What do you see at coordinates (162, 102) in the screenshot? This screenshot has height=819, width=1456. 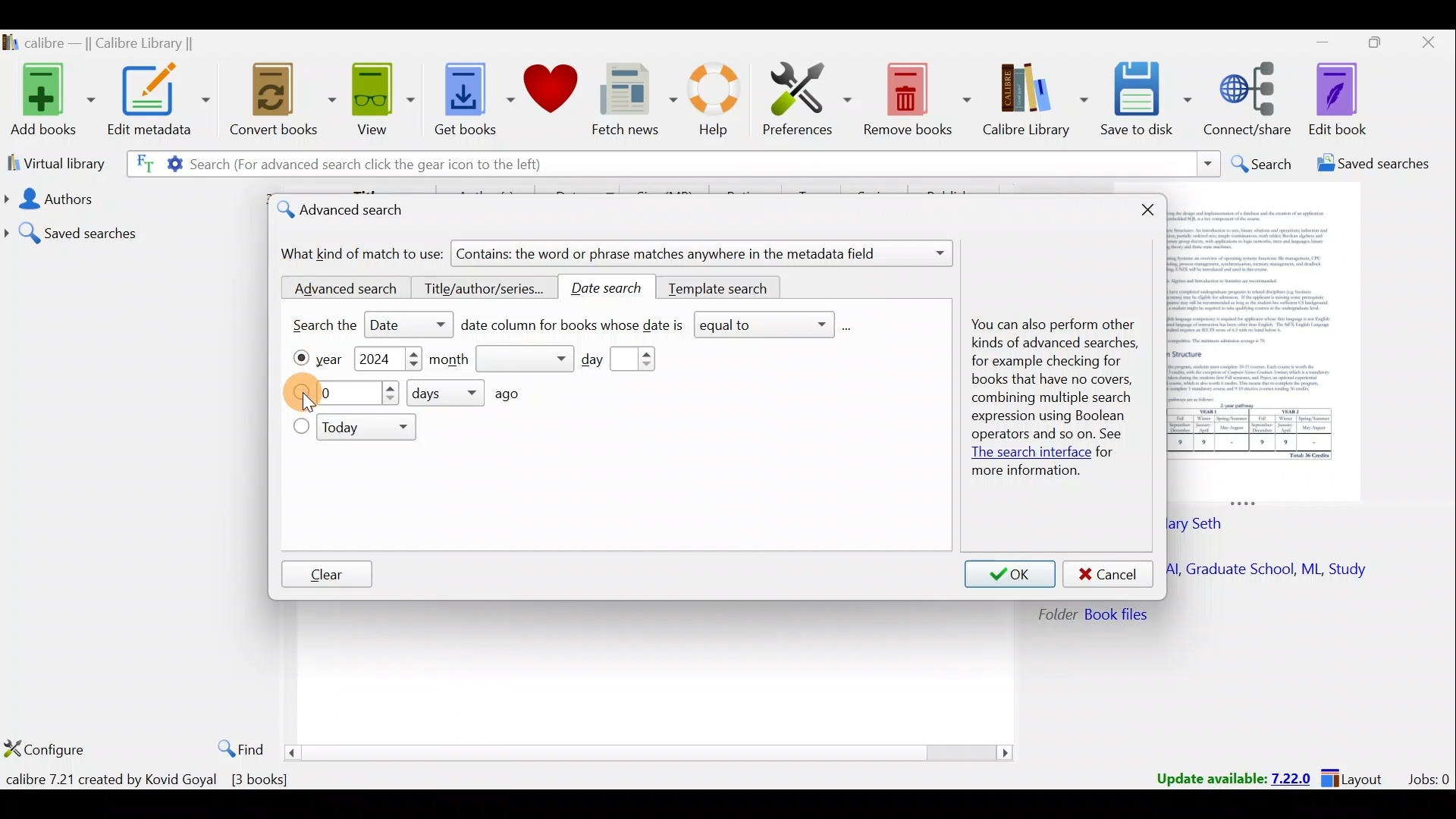 I see `Edit metadata` at bounding box center [162, 102].